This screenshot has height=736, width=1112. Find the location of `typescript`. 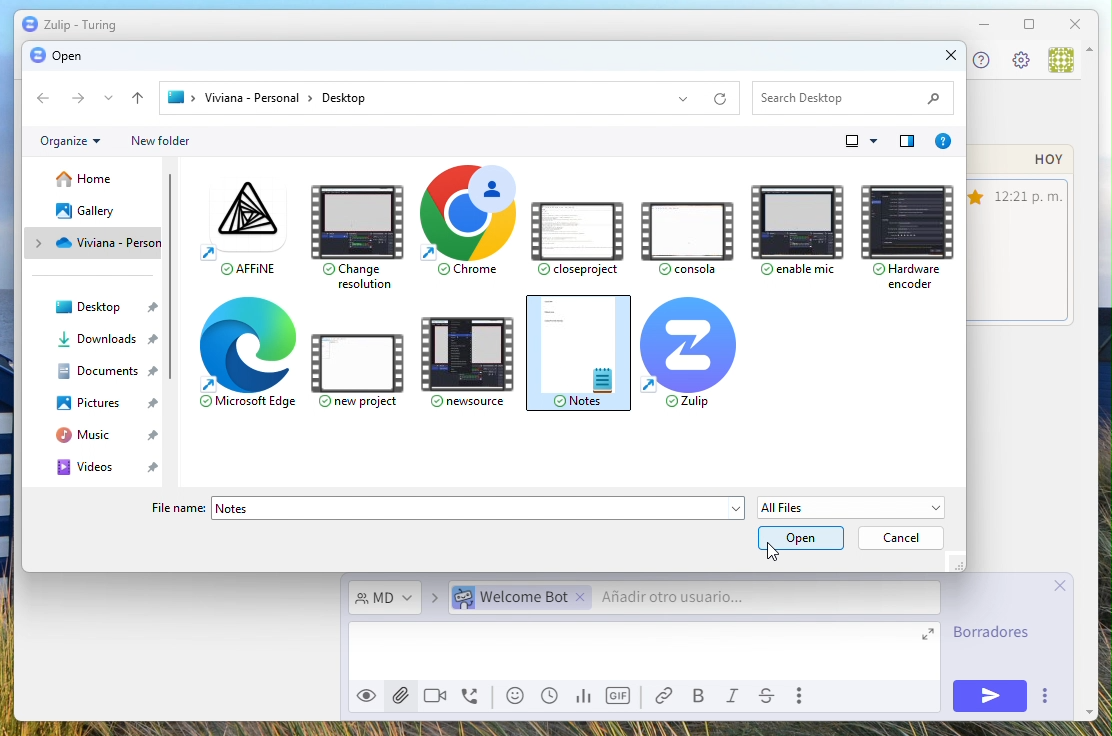

typescript is located at coordinates (767, 697).